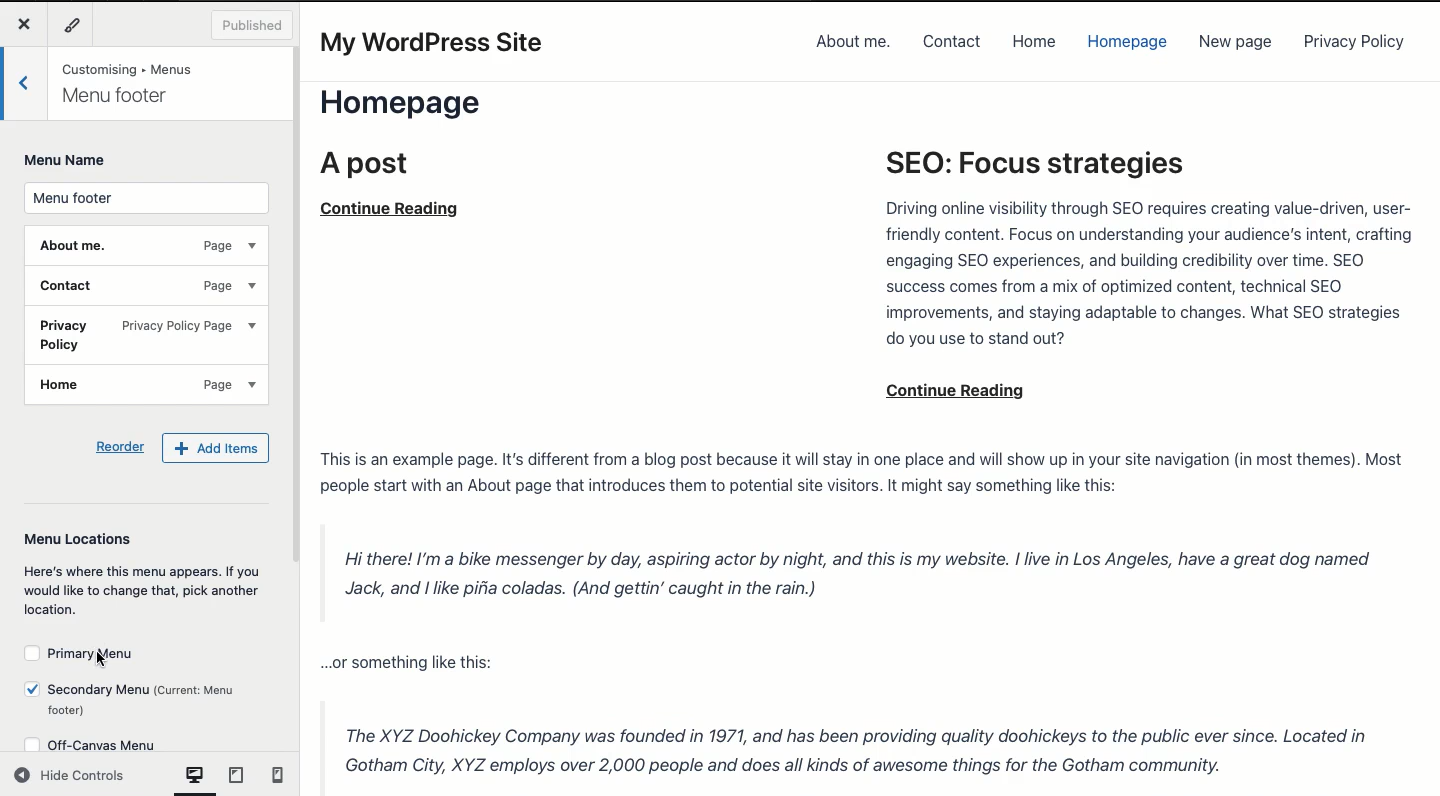  I want to click on Homepage, so click(1124, 42).